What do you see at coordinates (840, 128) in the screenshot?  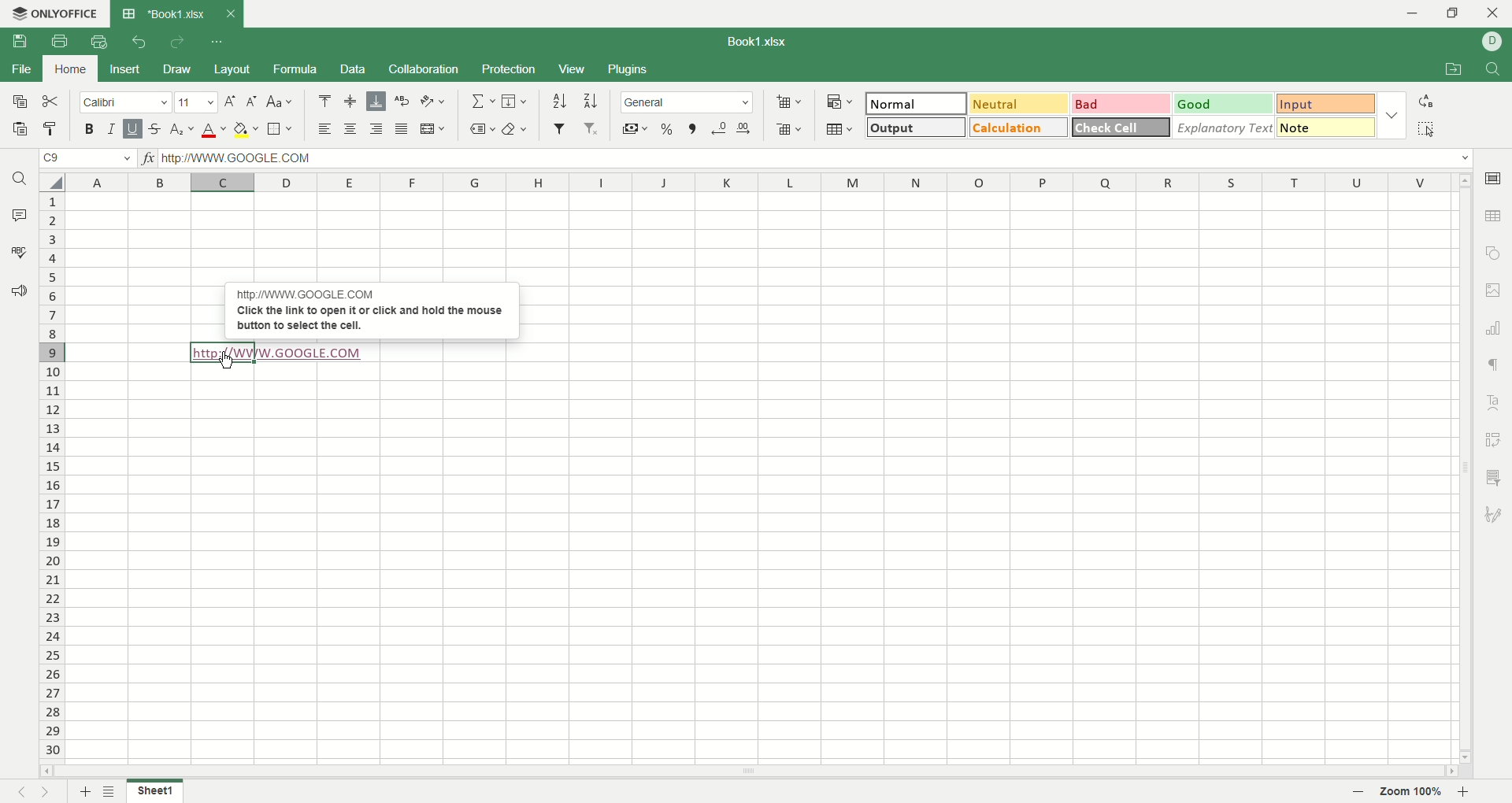 I see `table` at bounding box center [840, 128].